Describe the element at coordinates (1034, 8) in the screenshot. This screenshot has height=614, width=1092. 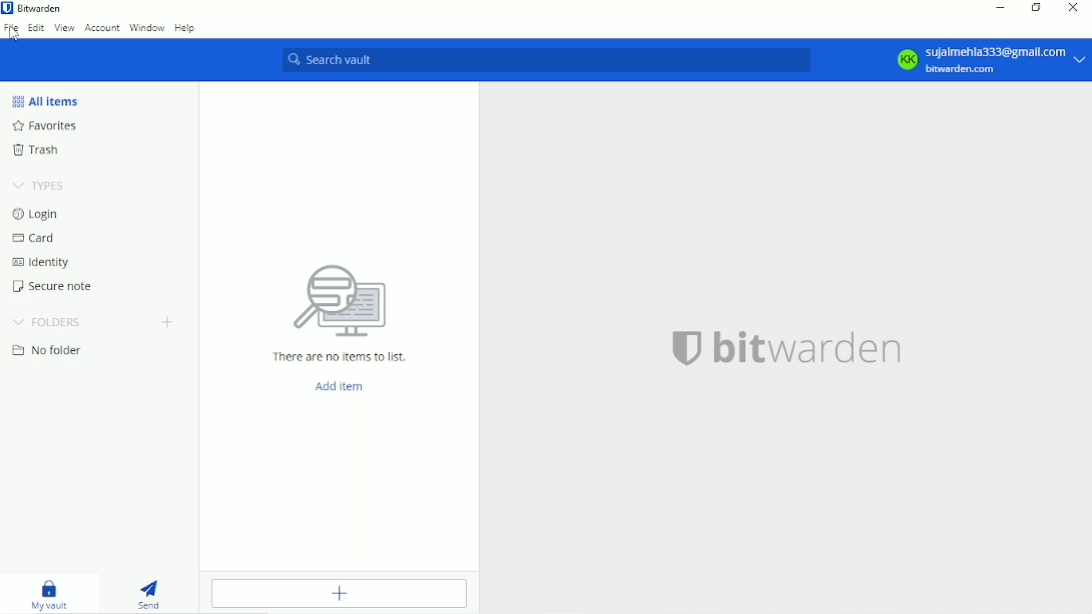
I see `Restore down` at that location.